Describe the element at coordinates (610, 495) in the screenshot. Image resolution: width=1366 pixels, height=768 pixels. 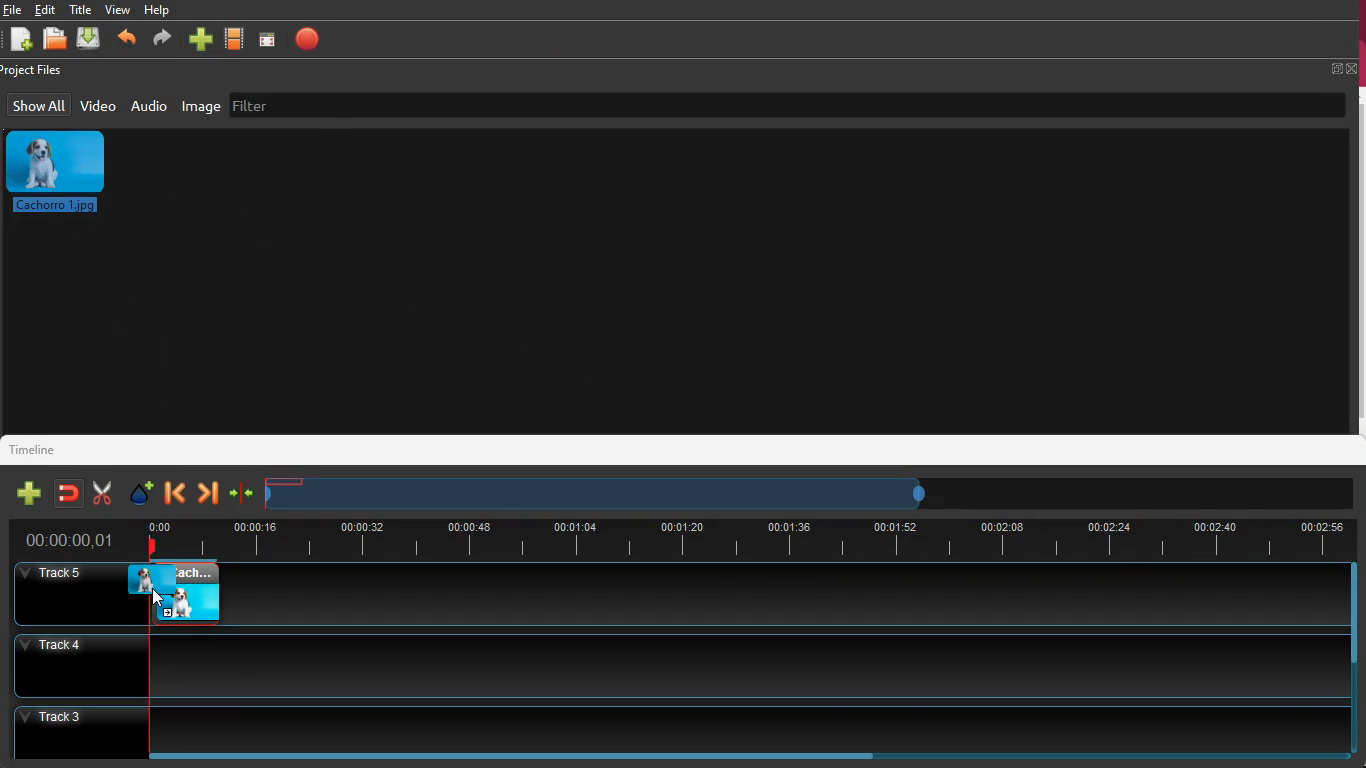
I see `timeframe` at that location.